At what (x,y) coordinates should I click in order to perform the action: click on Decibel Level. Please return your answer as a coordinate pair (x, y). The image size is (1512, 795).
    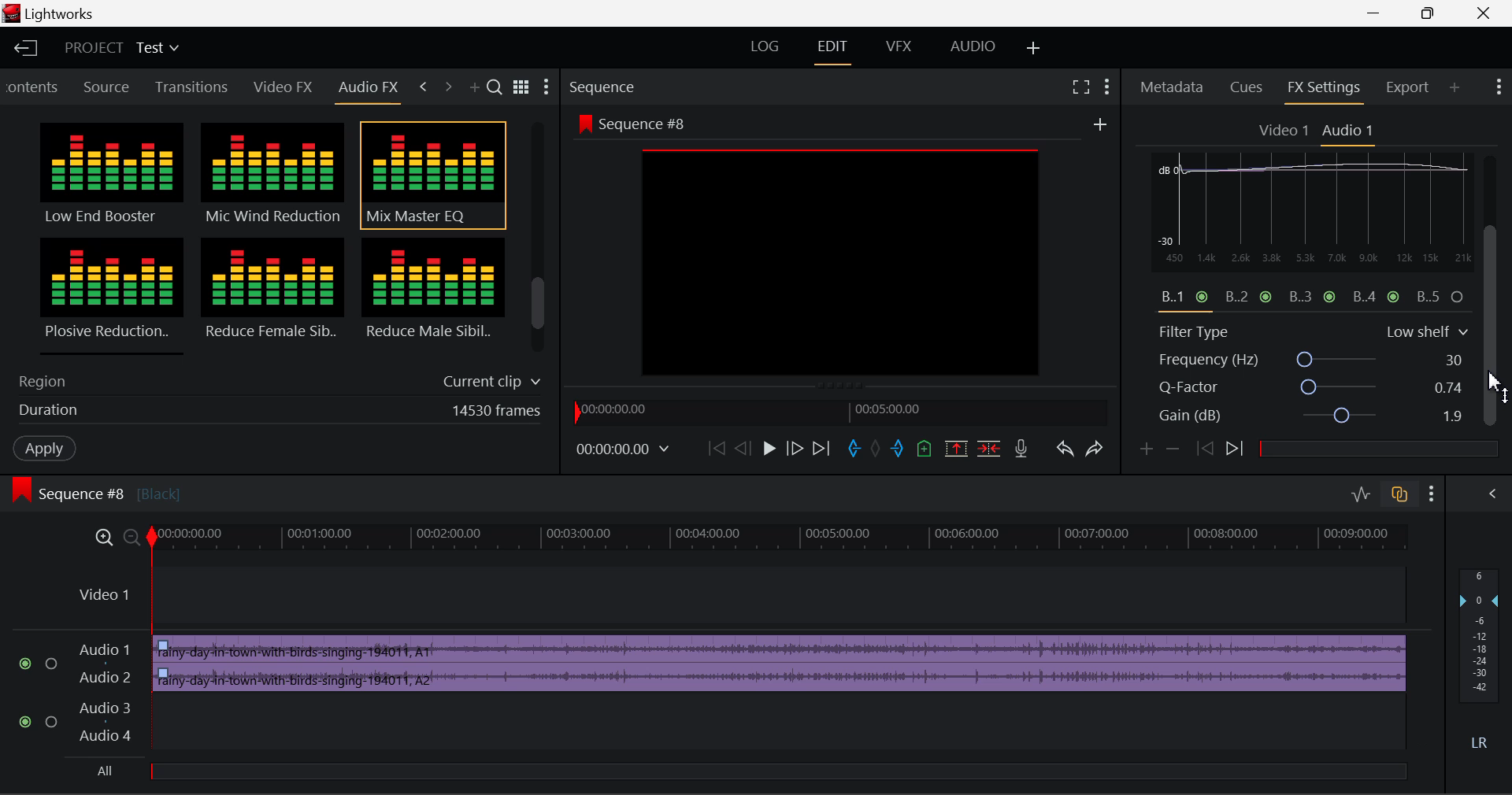
    Looking at the image, I should click on (1482, 663).